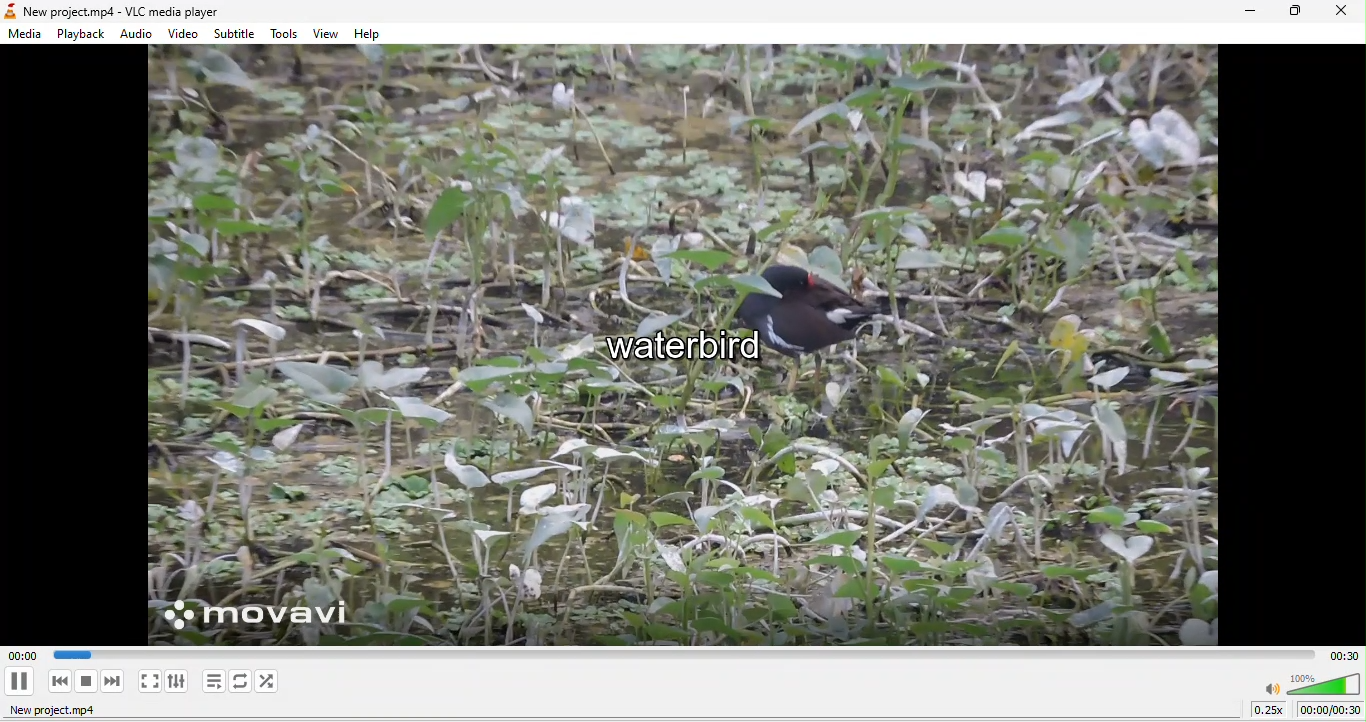 The width and height of the screenshot is (1366, 722). What do you see at coordinates (1241, 12) in the screenshot?
I see `minimize` at bounding box center [1241, 12].